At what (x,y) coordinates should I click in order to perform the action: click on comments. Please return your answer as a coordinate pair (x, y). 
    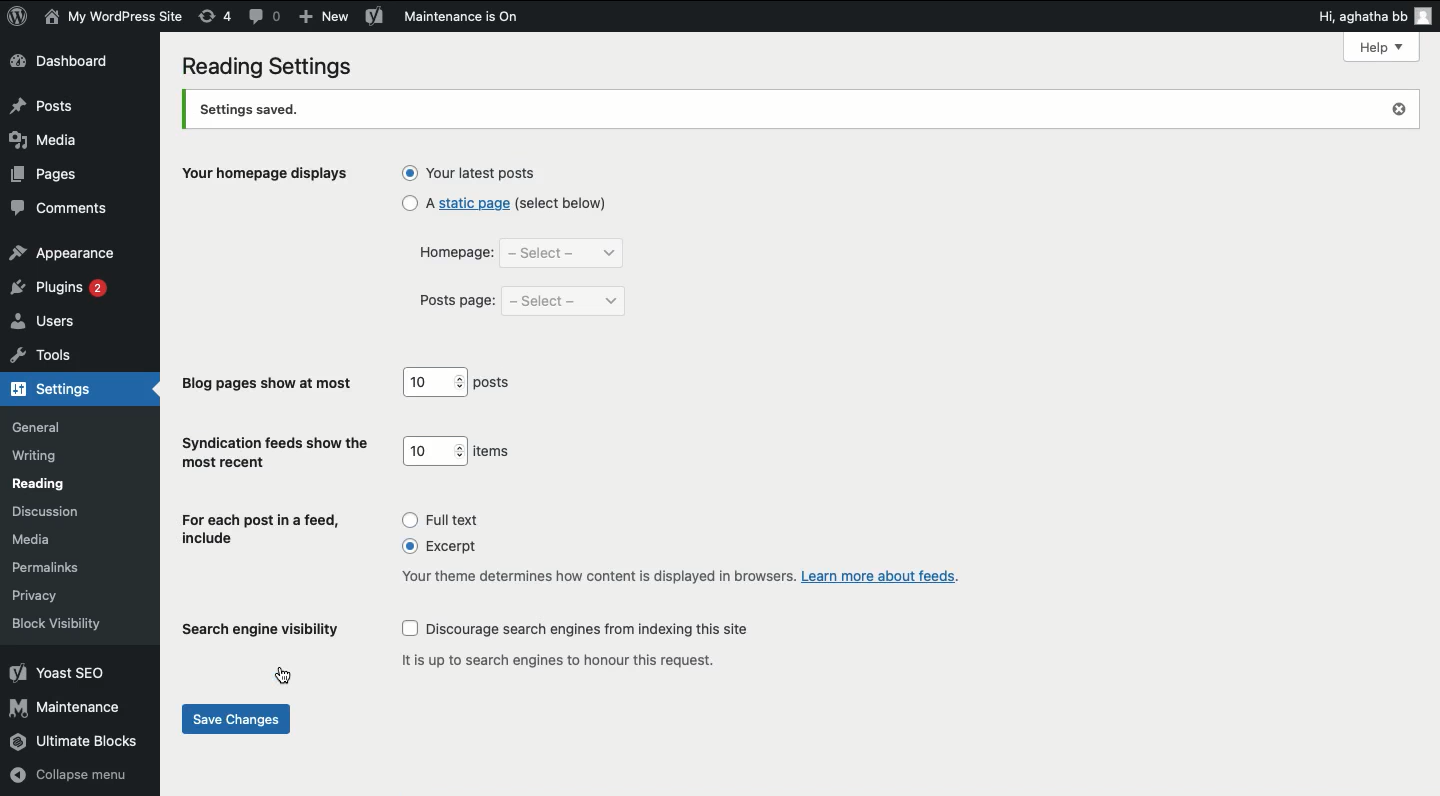
    Looking at the image, I should click on (64, 208).